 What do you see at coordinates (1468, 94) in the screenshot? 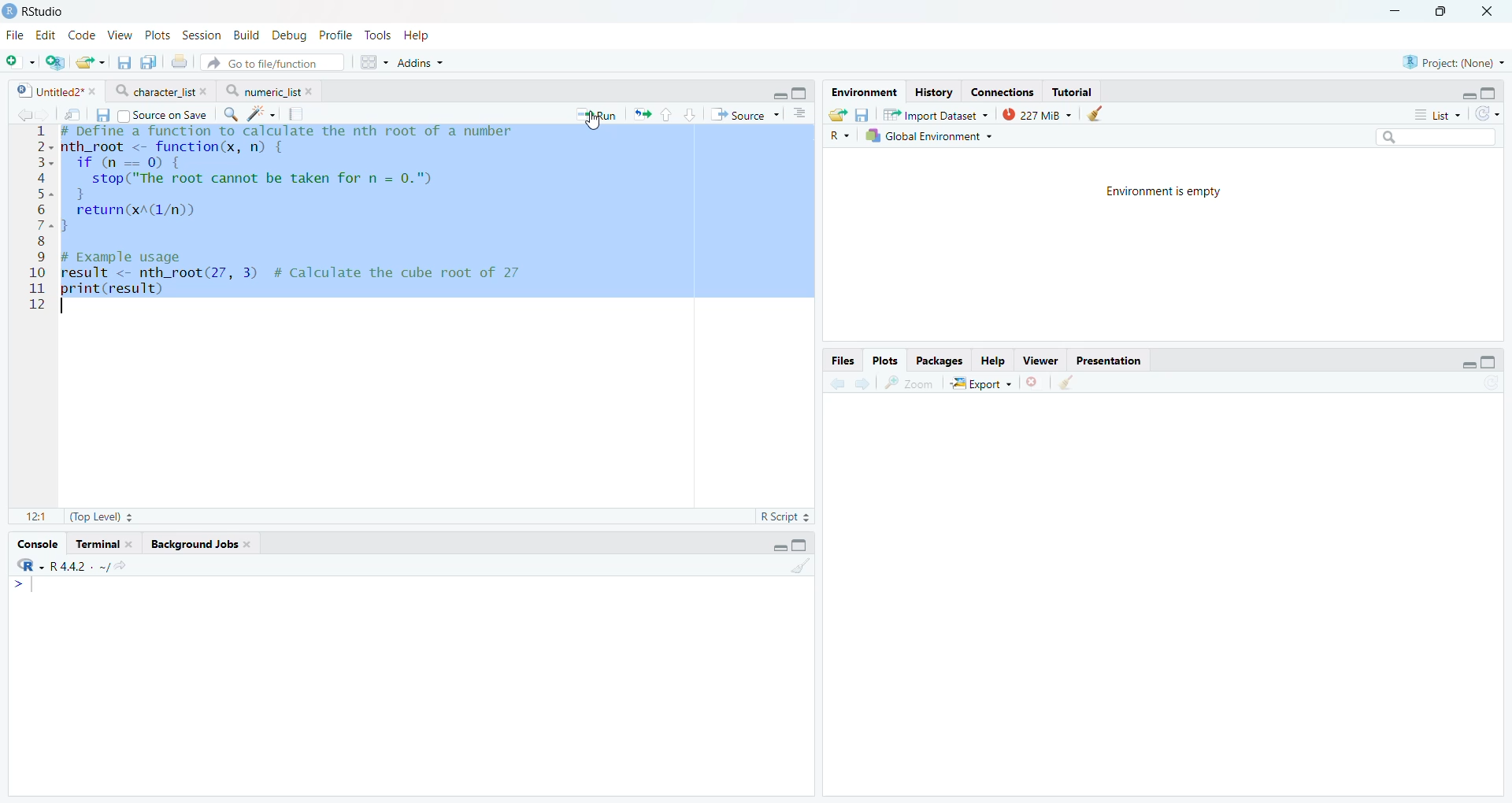
I see `Hide` at bounding box center [1468, 94].